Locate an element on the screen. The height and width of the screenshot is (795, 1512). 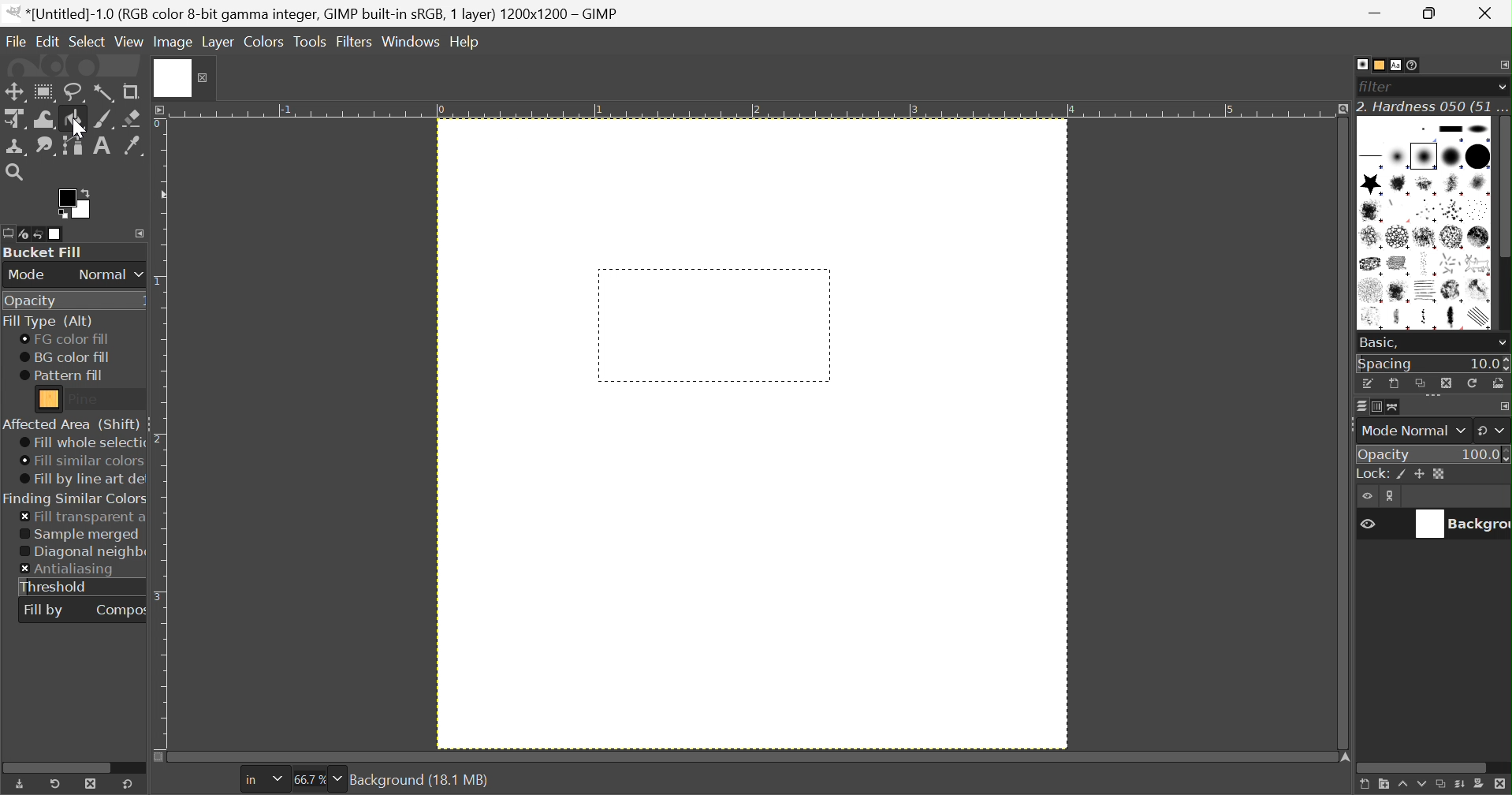
Refresh brushes is located at coordinates (1474, 383).